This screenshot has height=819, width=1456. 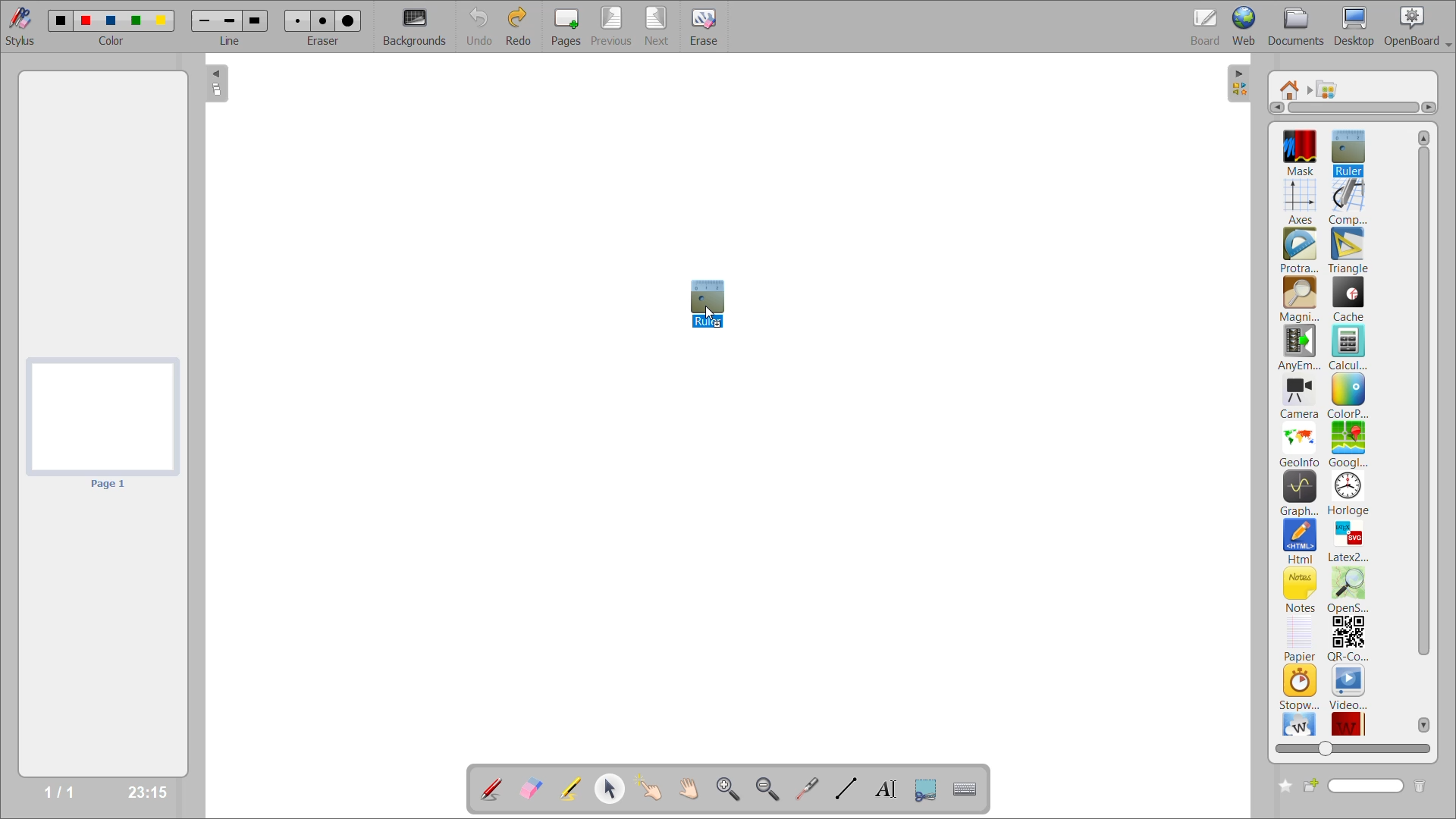 What do you see at coordinates (1350, 746) in the screenshot?
I see `zoom slider` at bounding box center [1350, 746].